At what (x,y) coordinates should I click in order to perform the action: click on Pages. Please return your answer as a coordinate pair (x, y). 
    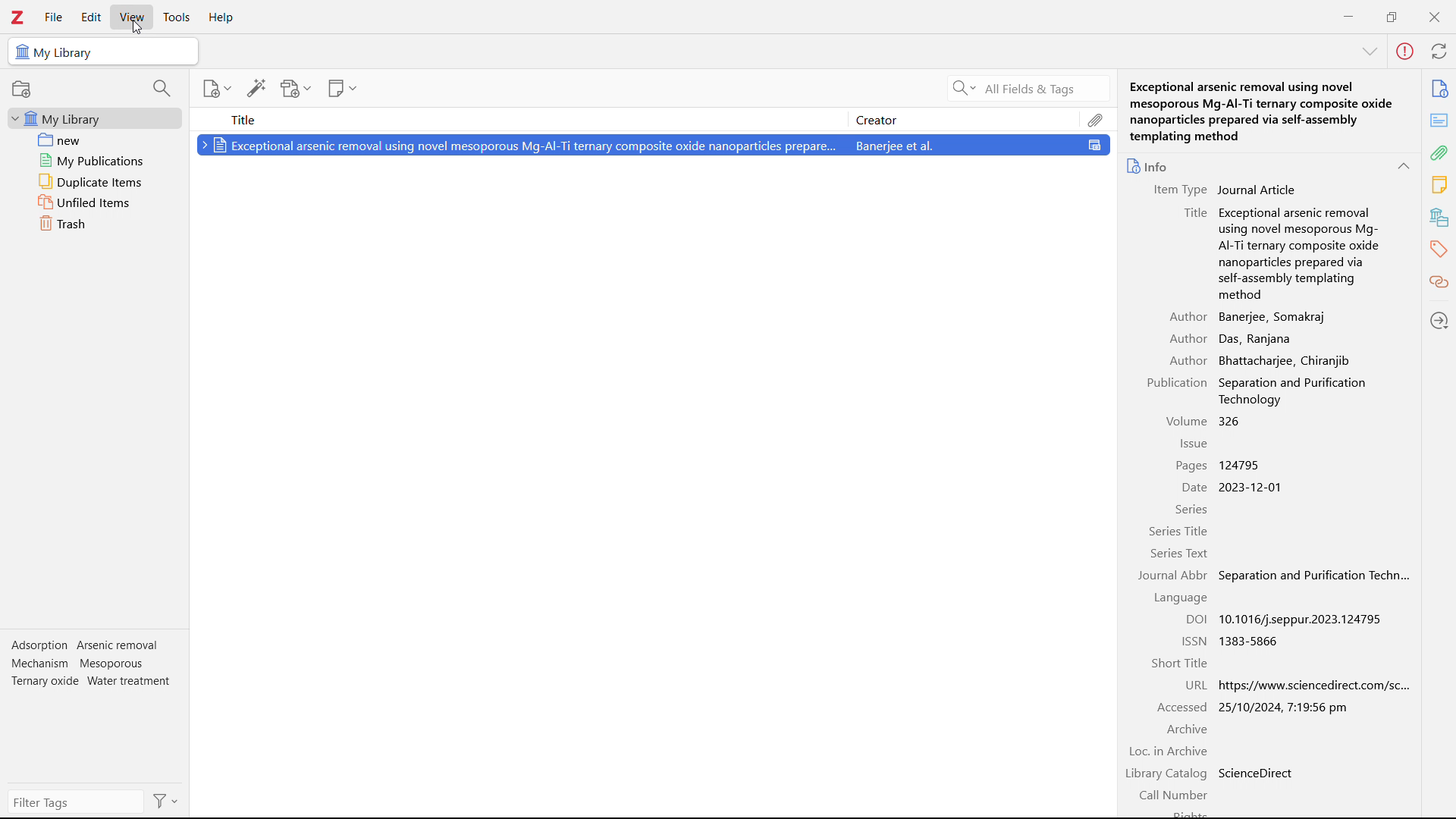
    Looking at the image, I should click on (1191, 466).